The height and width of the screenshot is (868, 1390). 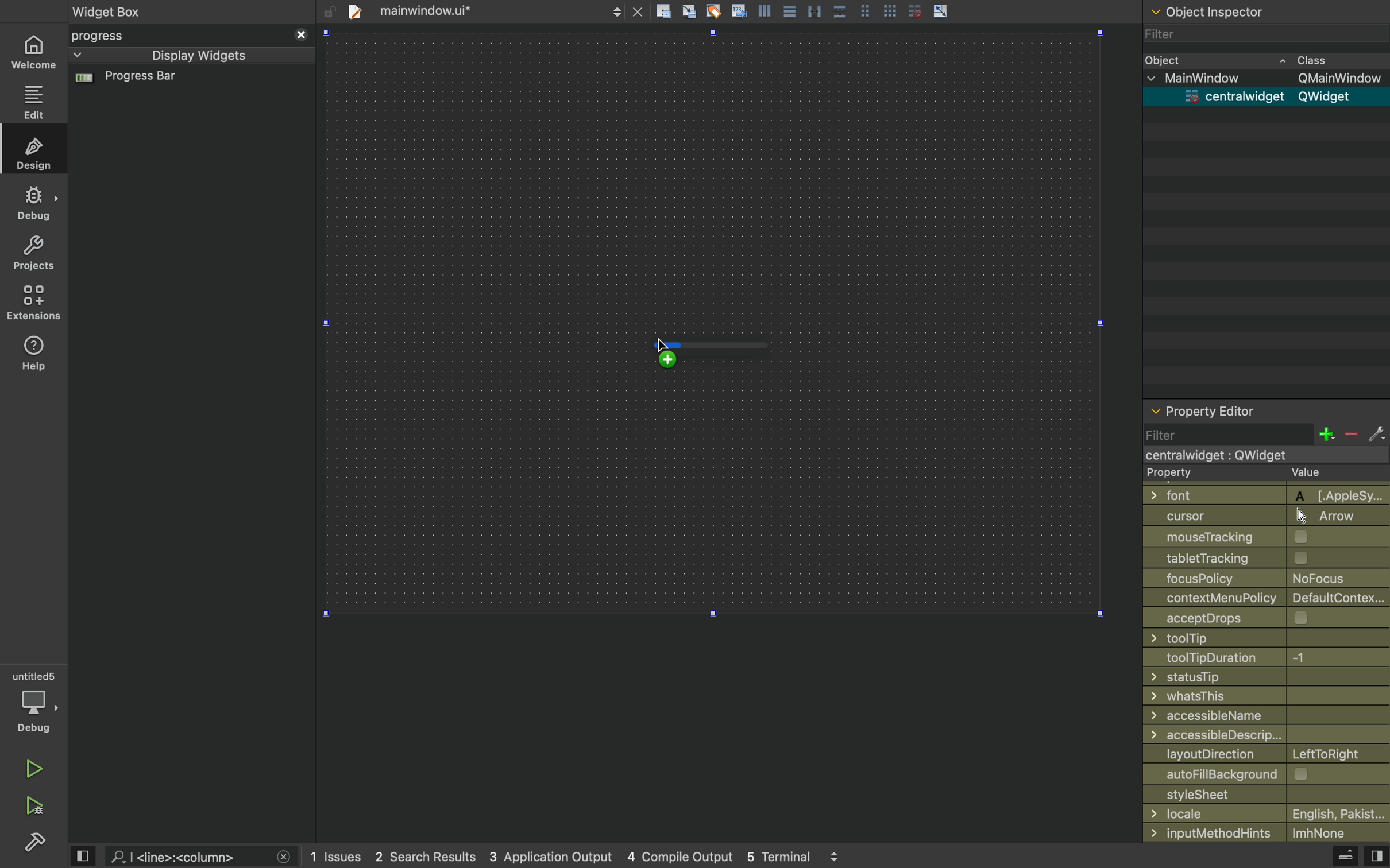 I want to click on centrawidget, so click(x=1260, y=455).